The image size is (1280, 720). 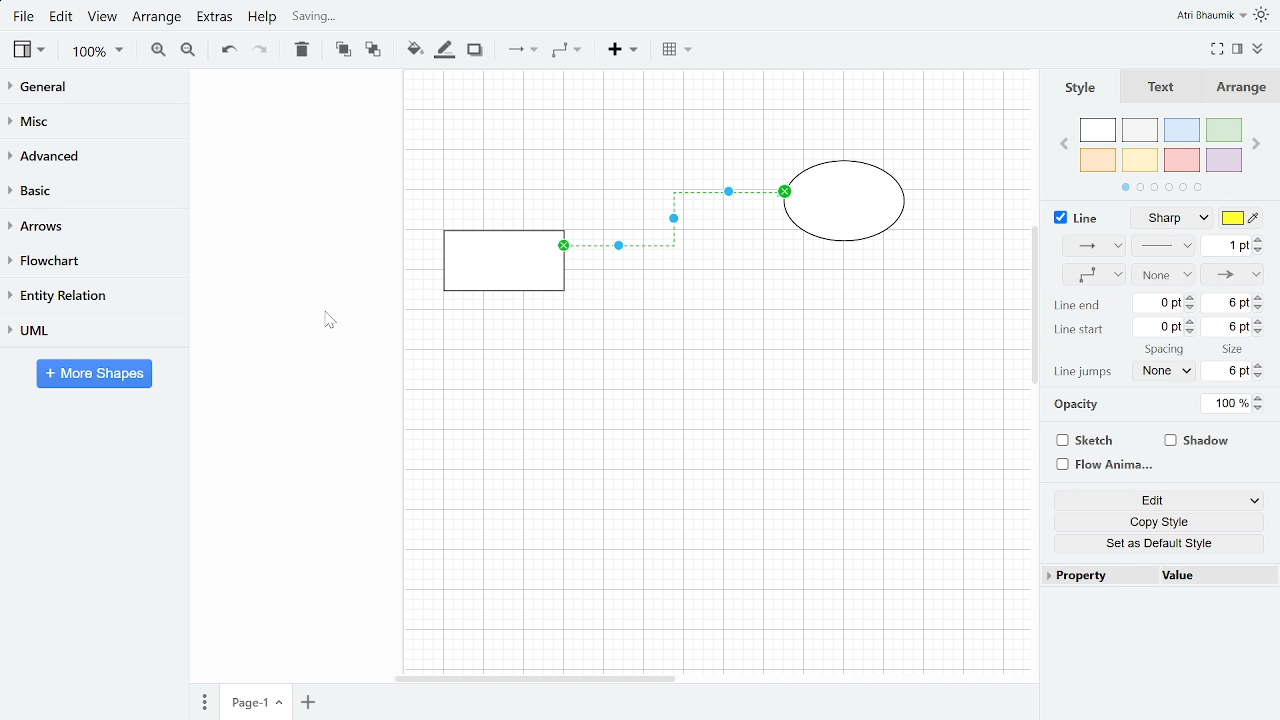 What do you see at coordinates (1262, 410) in the screenshot?
I see `Decrease opacity` at bounding box center [1262, 410].